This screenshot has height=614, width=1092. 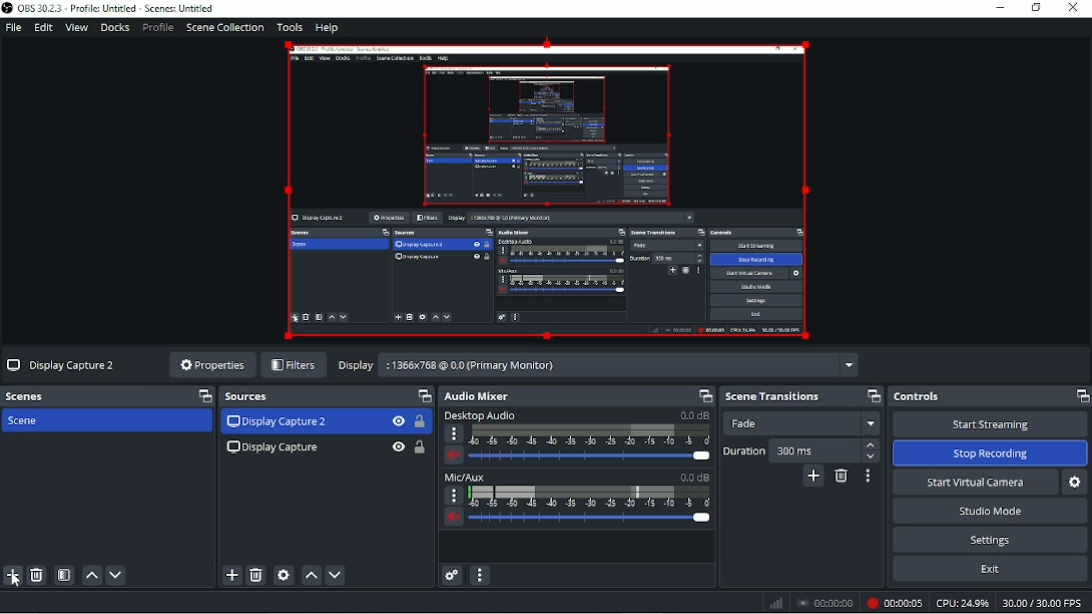 I want to click on Exit, so click(x=992, y=571).